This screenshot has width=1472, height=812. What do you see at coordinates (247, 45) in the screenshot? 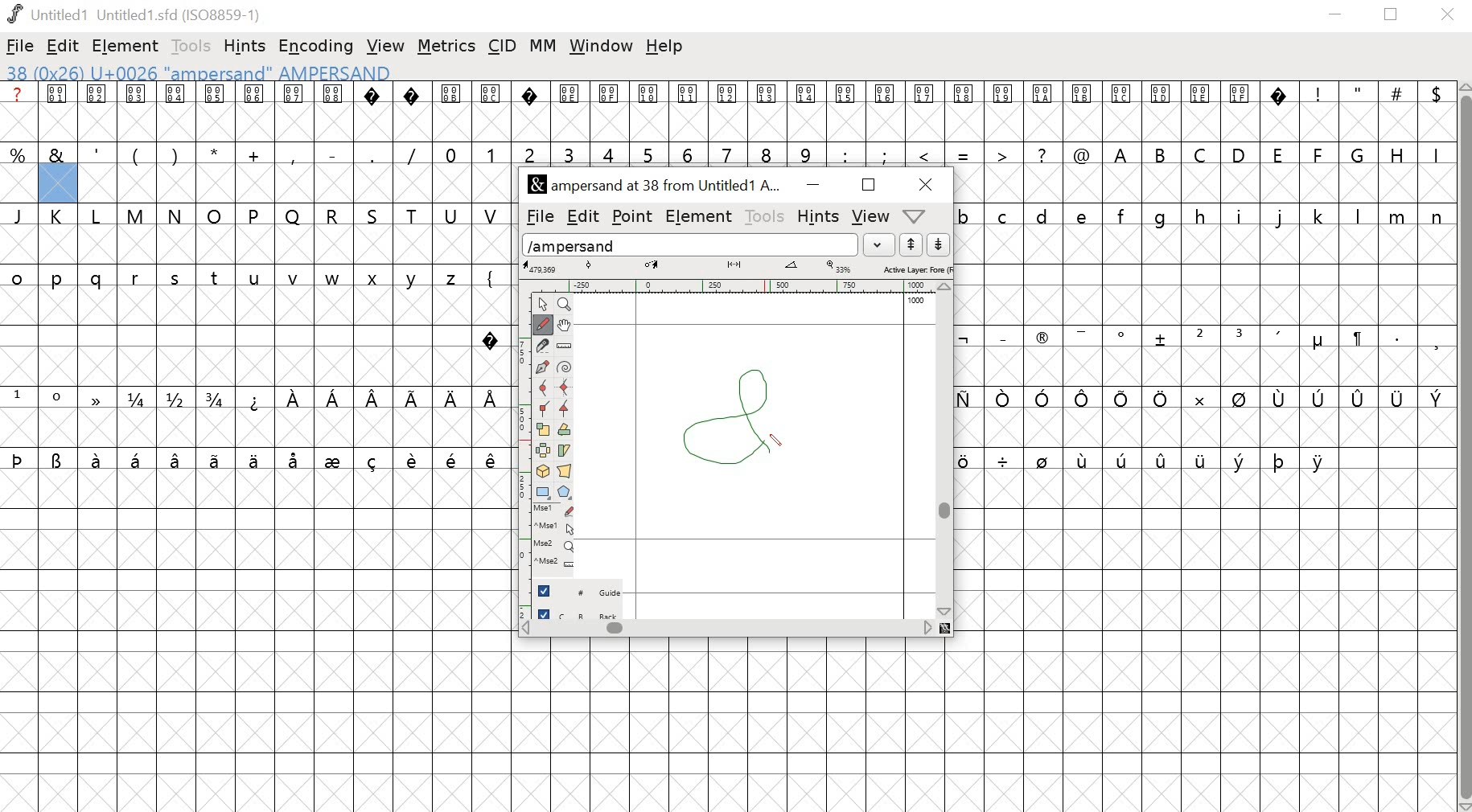
I see `hints` at bounding box center [247, 45].